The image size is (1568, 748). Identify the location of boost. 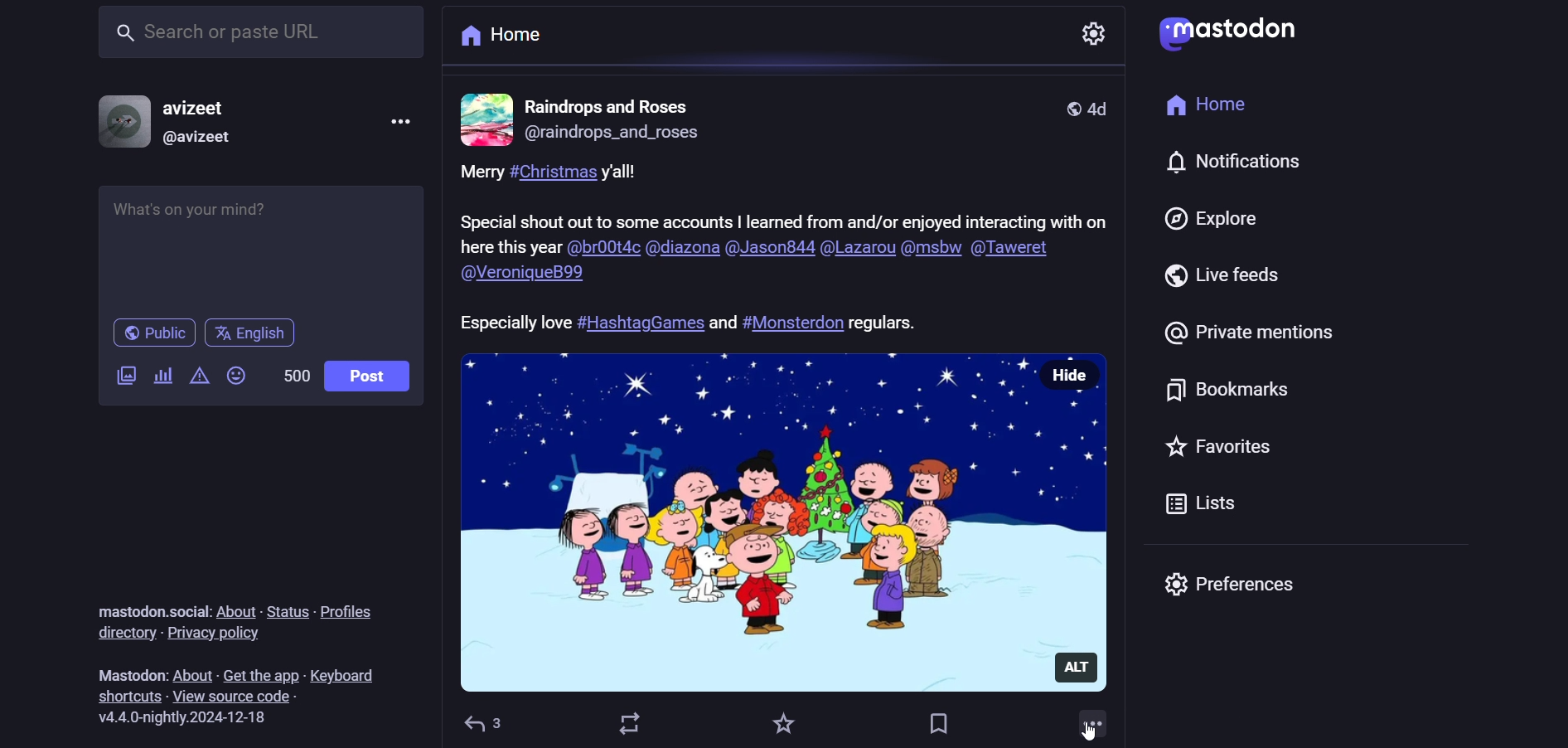
(634, 724).